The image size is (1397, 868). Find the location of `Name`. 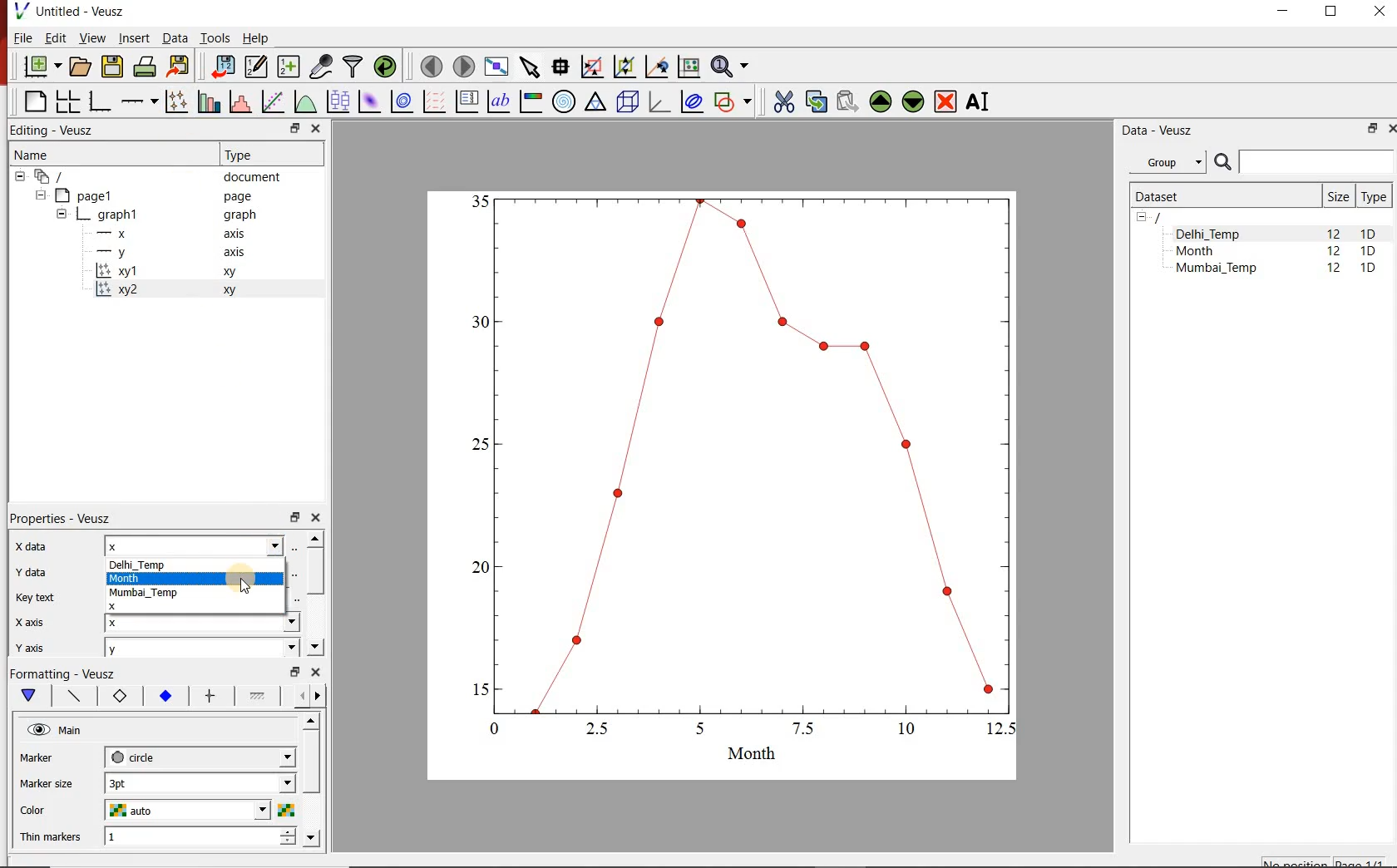

Name is located at coordinates (33, 154).